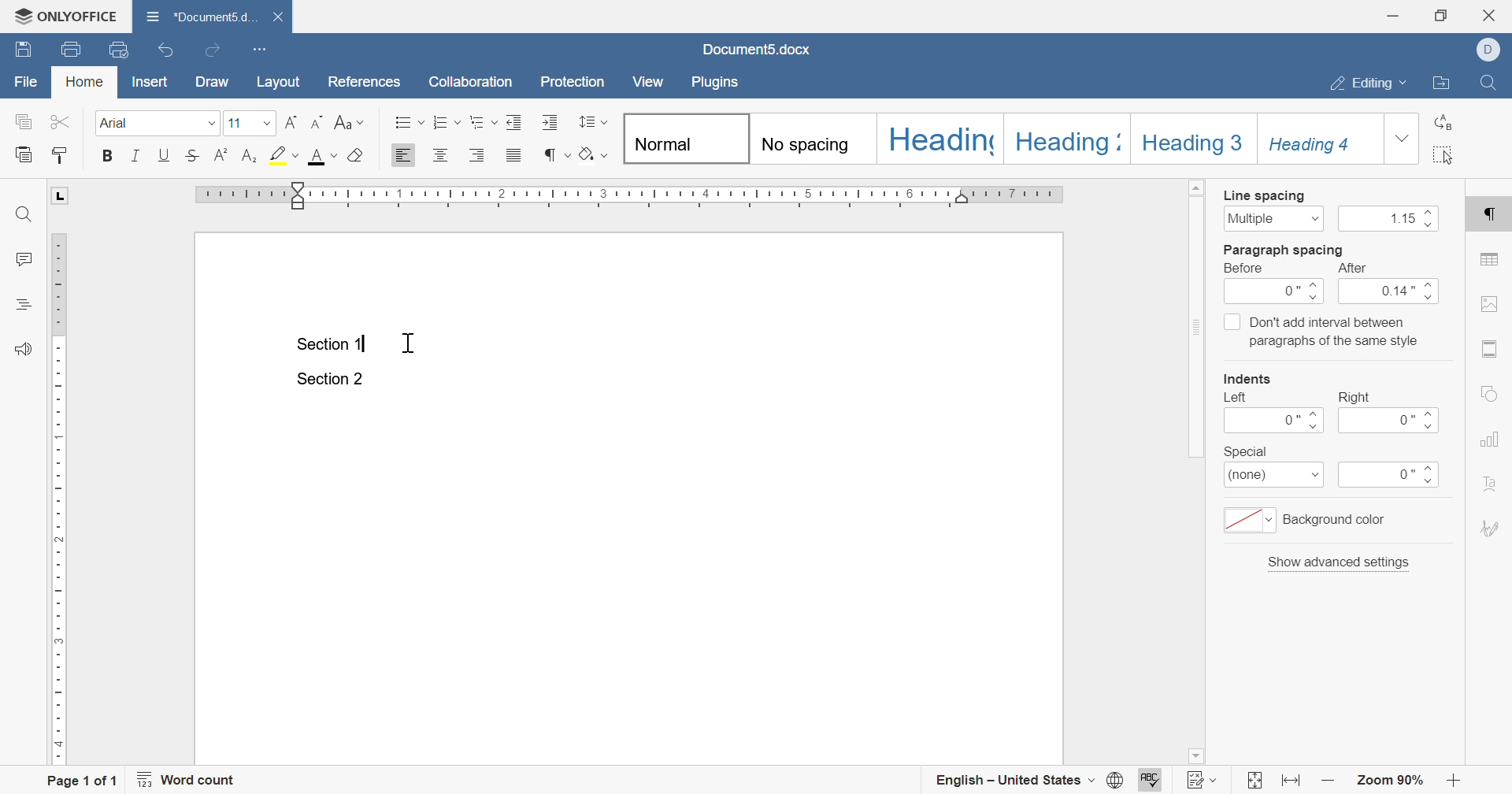 Image resolution: width=1512 pixels, height=794 pixels. What do you see at coordinates (284, 154) in the screenshot?
I see `highlight color` at bounding box center [284, 154].